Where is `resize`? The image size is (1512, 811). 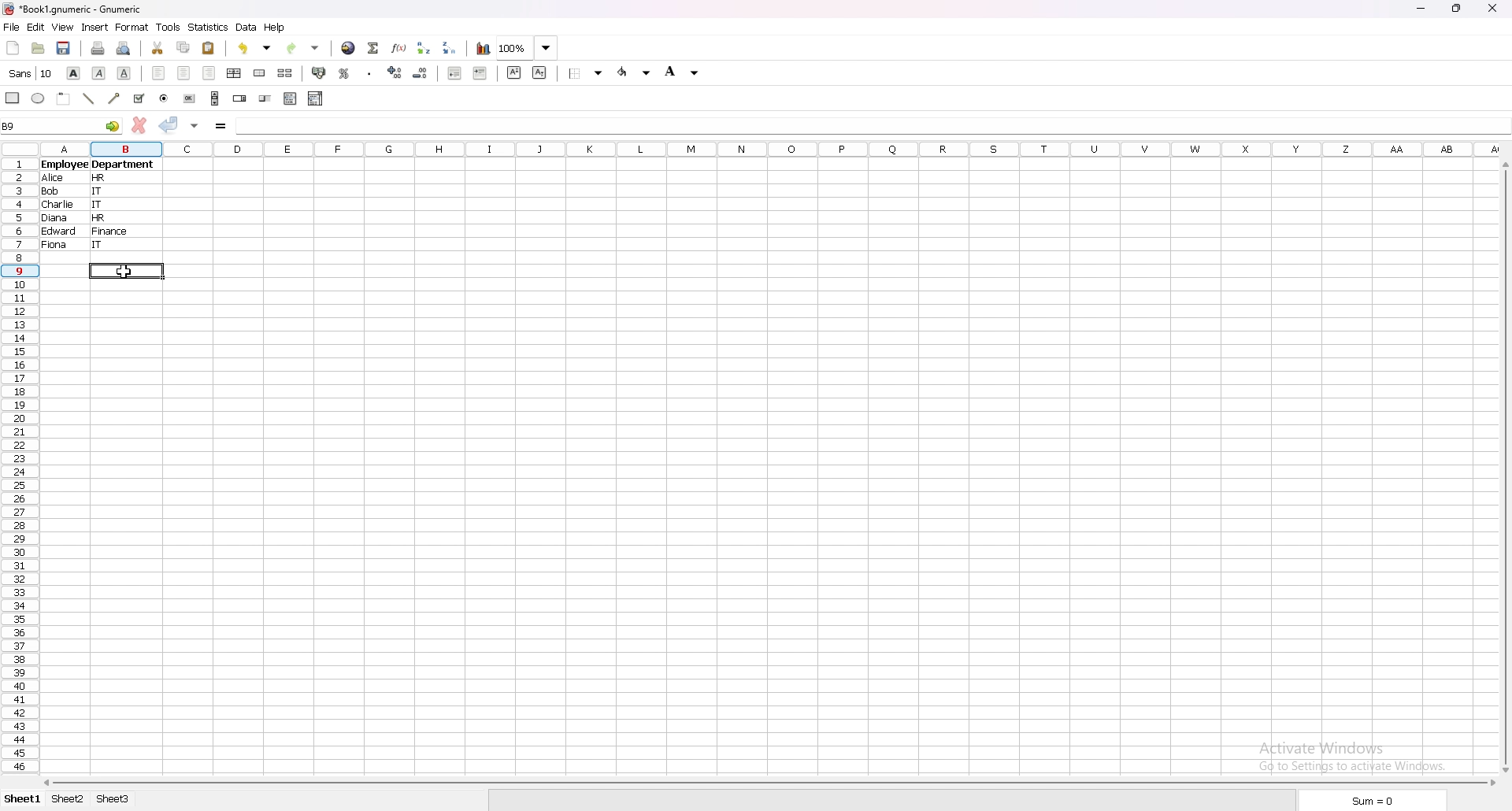
resize is located at coordinates (1458, 8).